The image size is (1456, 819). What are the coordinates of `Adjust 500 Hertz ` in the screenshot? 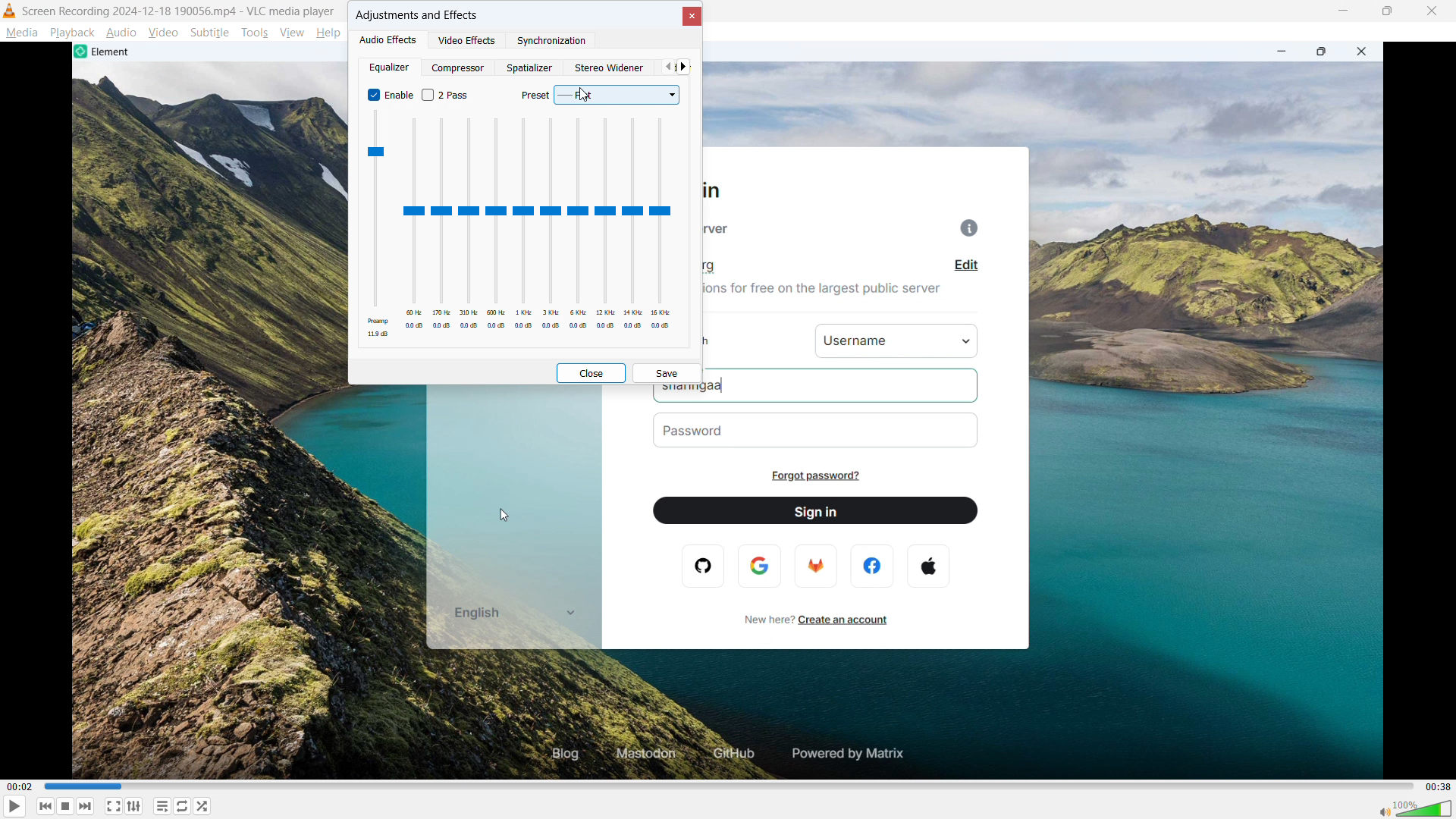 It's located at (497, 225).